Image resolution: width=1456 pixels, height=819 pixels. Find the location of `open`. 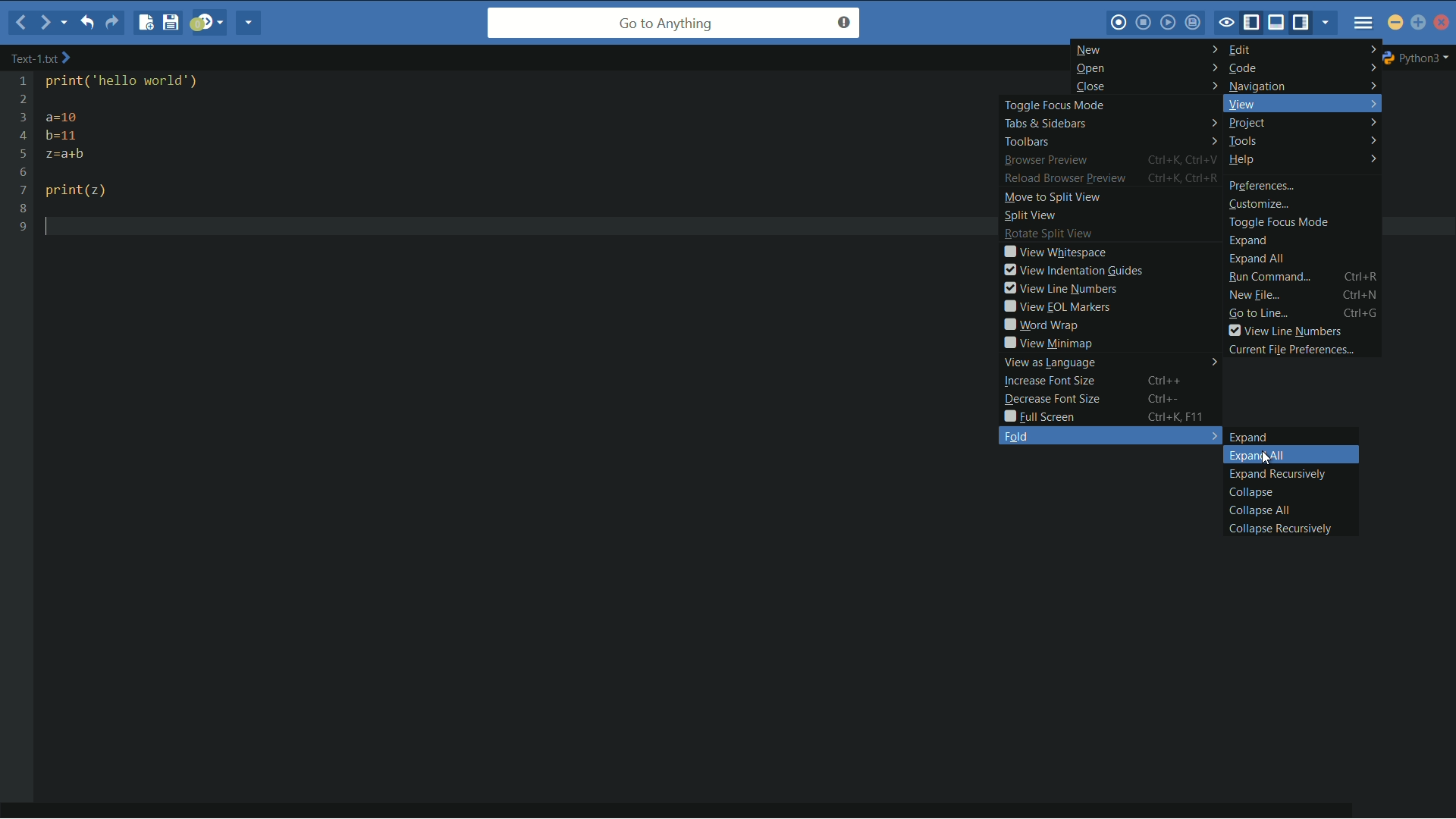

open is located at coordinates (1145, 70).